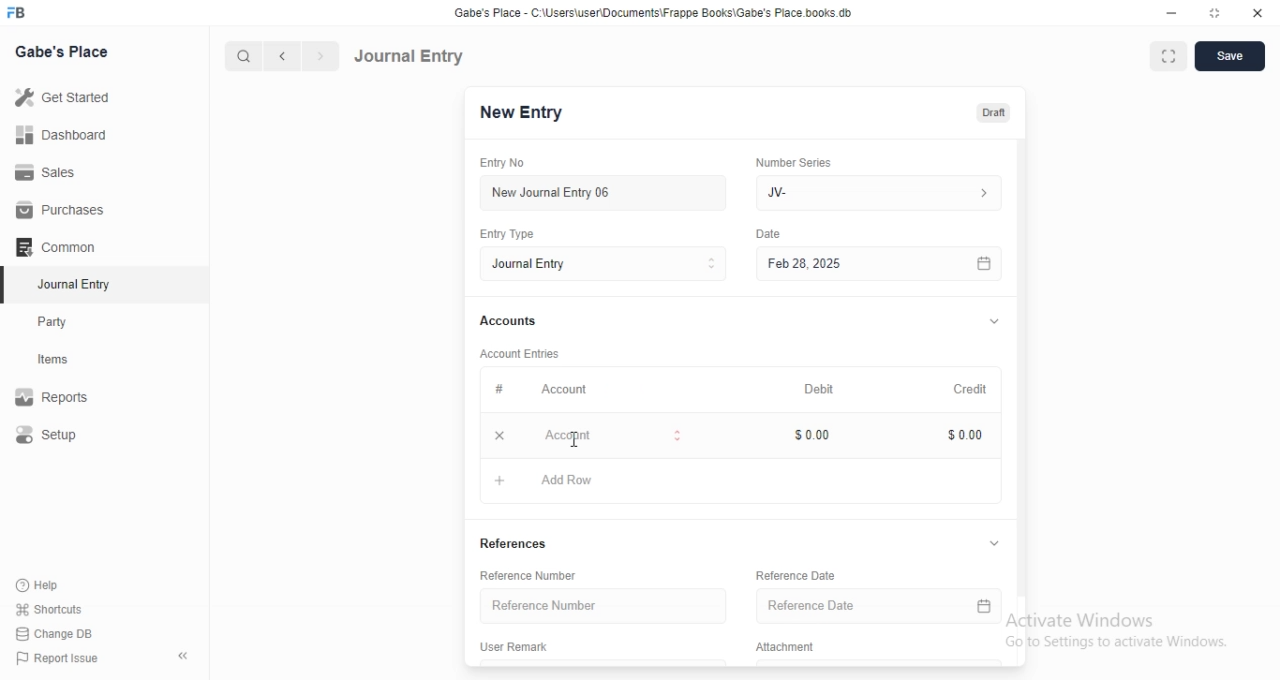  Describe the element at coordinates (61, 585) in the screenshot. I see `‘Help` at that location.